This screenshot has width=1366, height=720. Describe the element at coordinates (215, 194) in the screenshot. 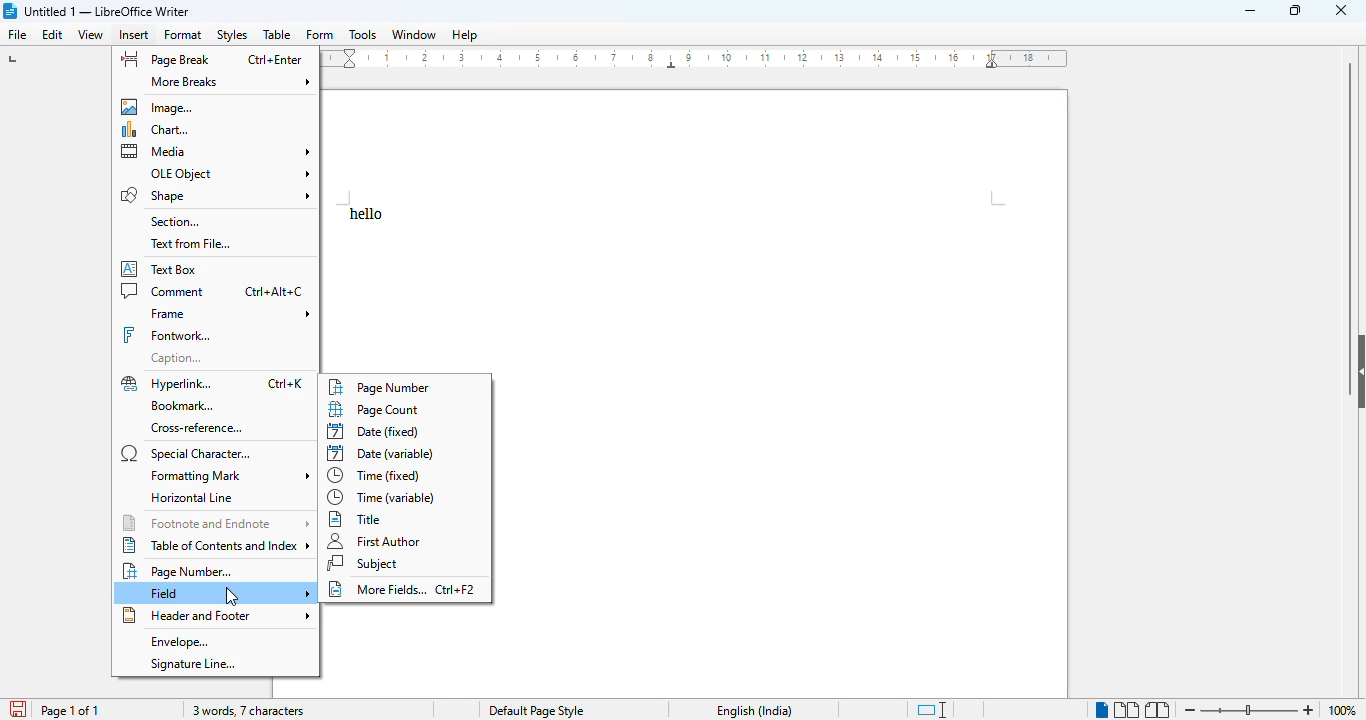

I see `shape` at that location.